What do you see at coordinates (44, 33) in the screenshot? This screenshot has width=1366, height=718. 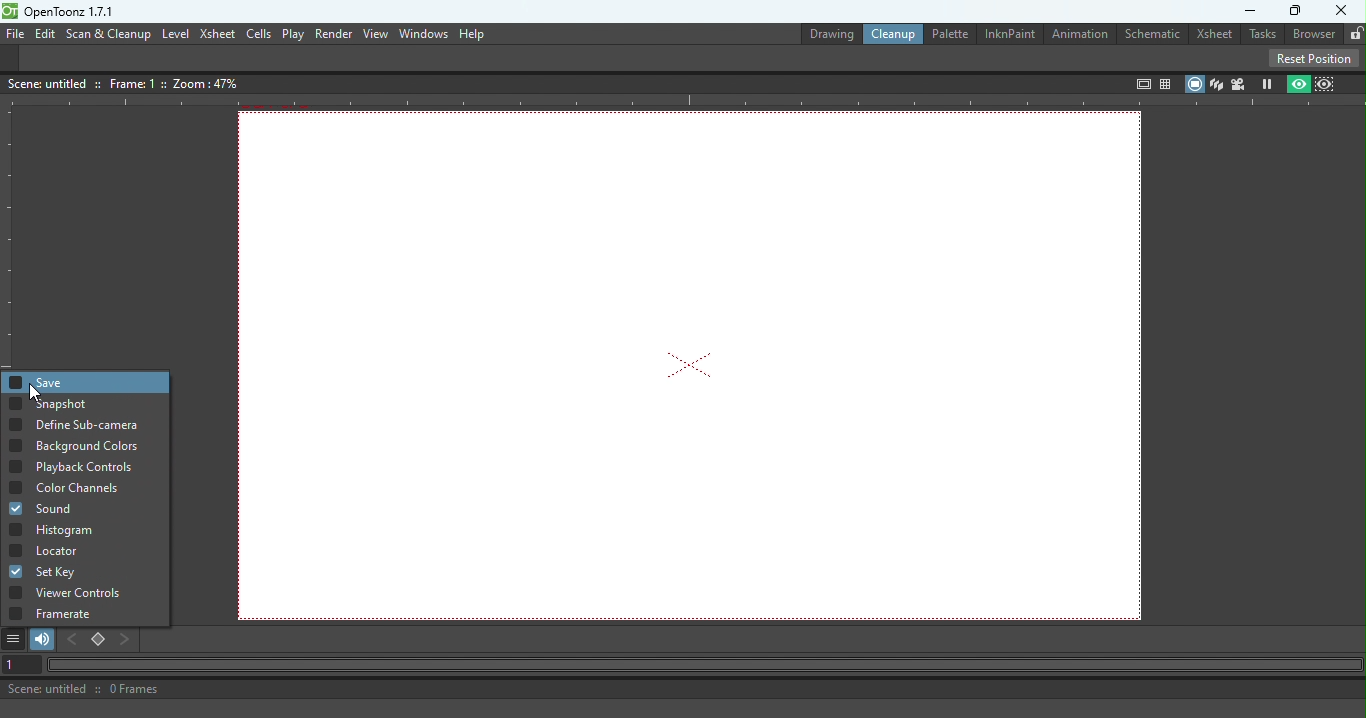 I see `Edit` at bounding box center [44, 33].